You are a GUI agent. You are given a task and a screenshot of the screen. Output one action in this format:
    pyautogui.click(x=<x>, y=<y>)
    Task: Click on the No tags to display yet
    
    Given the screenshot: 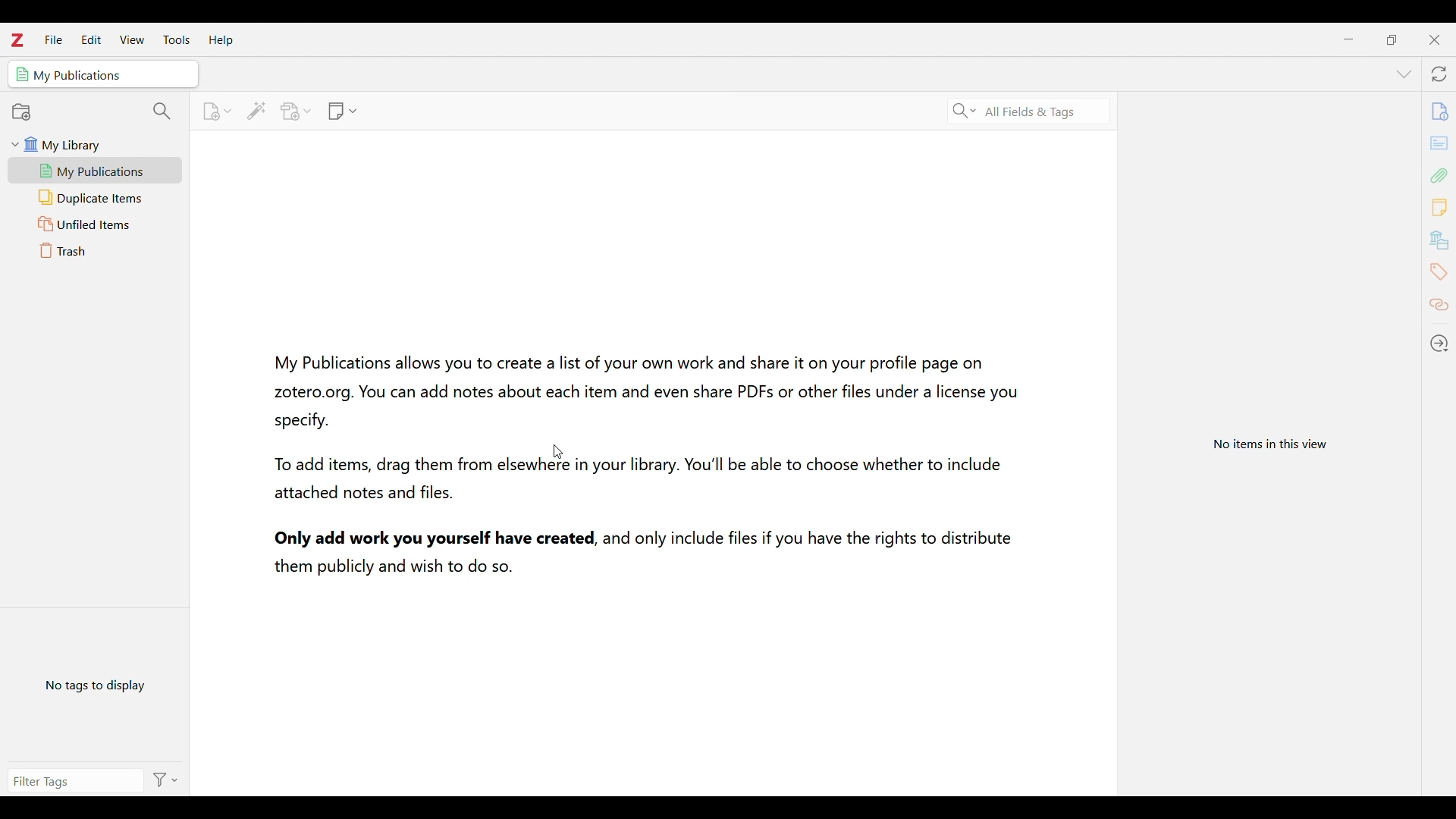 What is the action you would take?
    pyautogui.click(x=96, y=683)
    